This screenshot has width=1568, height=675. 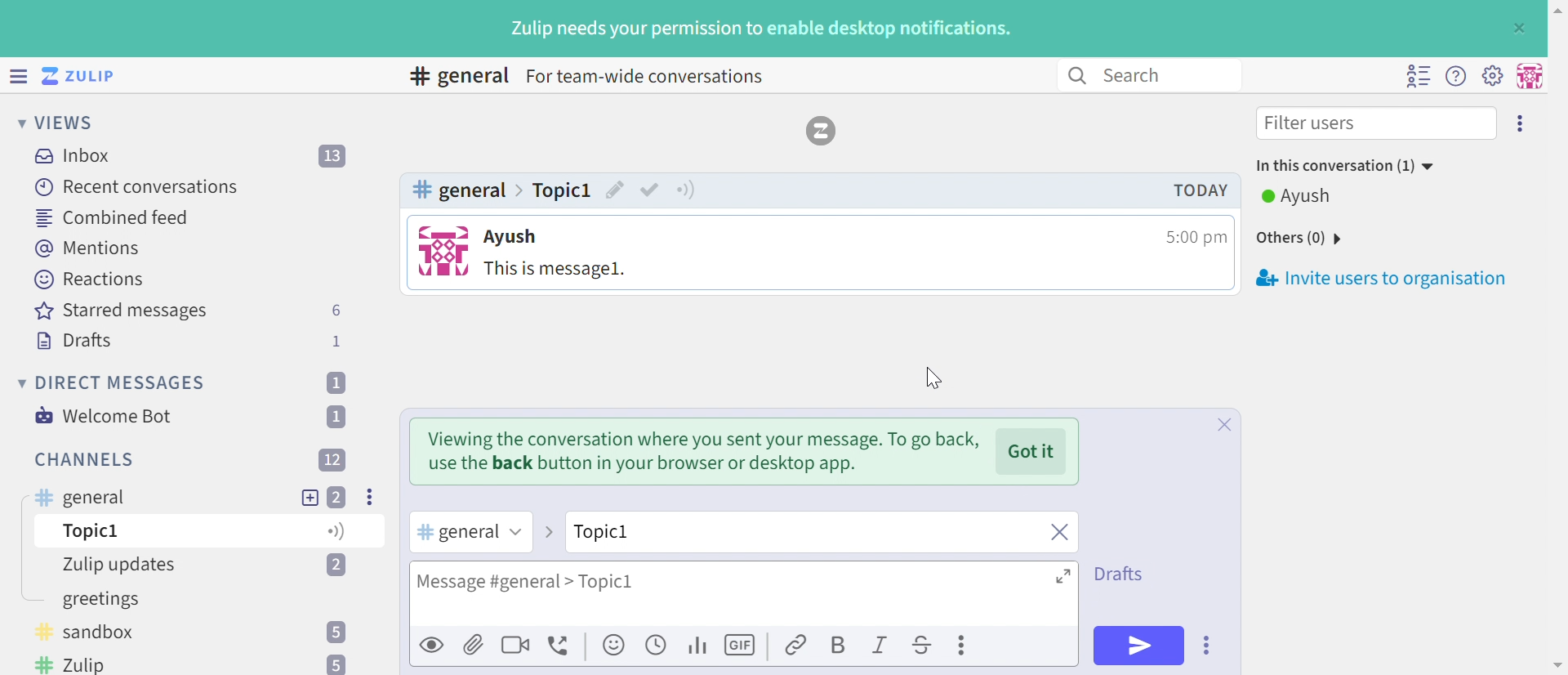 What do you see at coordinates (561, 646) in the screenshot?
I see `Add voice call` at bounding box center [561, 646].